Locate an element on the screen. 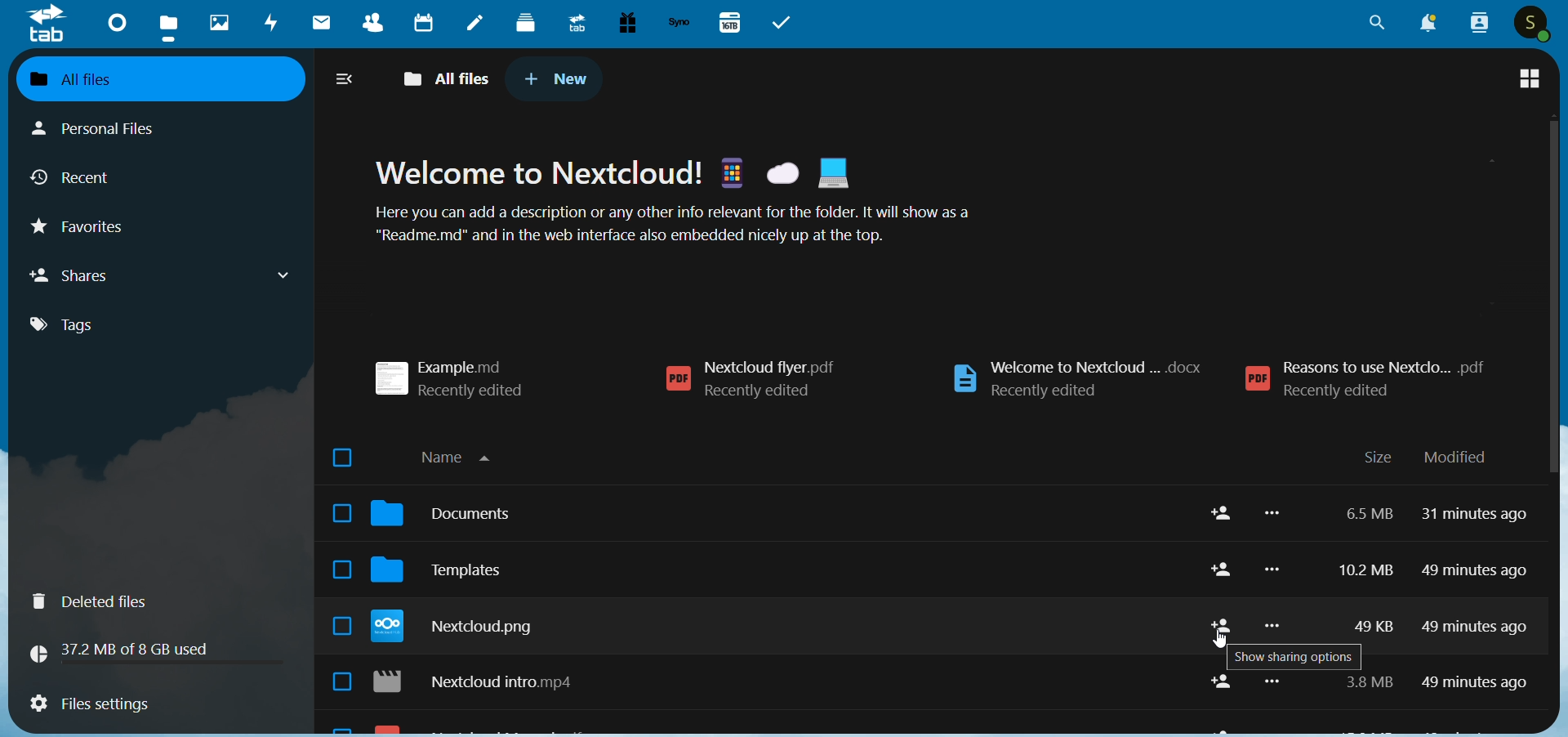 Image resolution: width=1568 pixels, height=737 pixels. activity is located at coordinates (273, 25).